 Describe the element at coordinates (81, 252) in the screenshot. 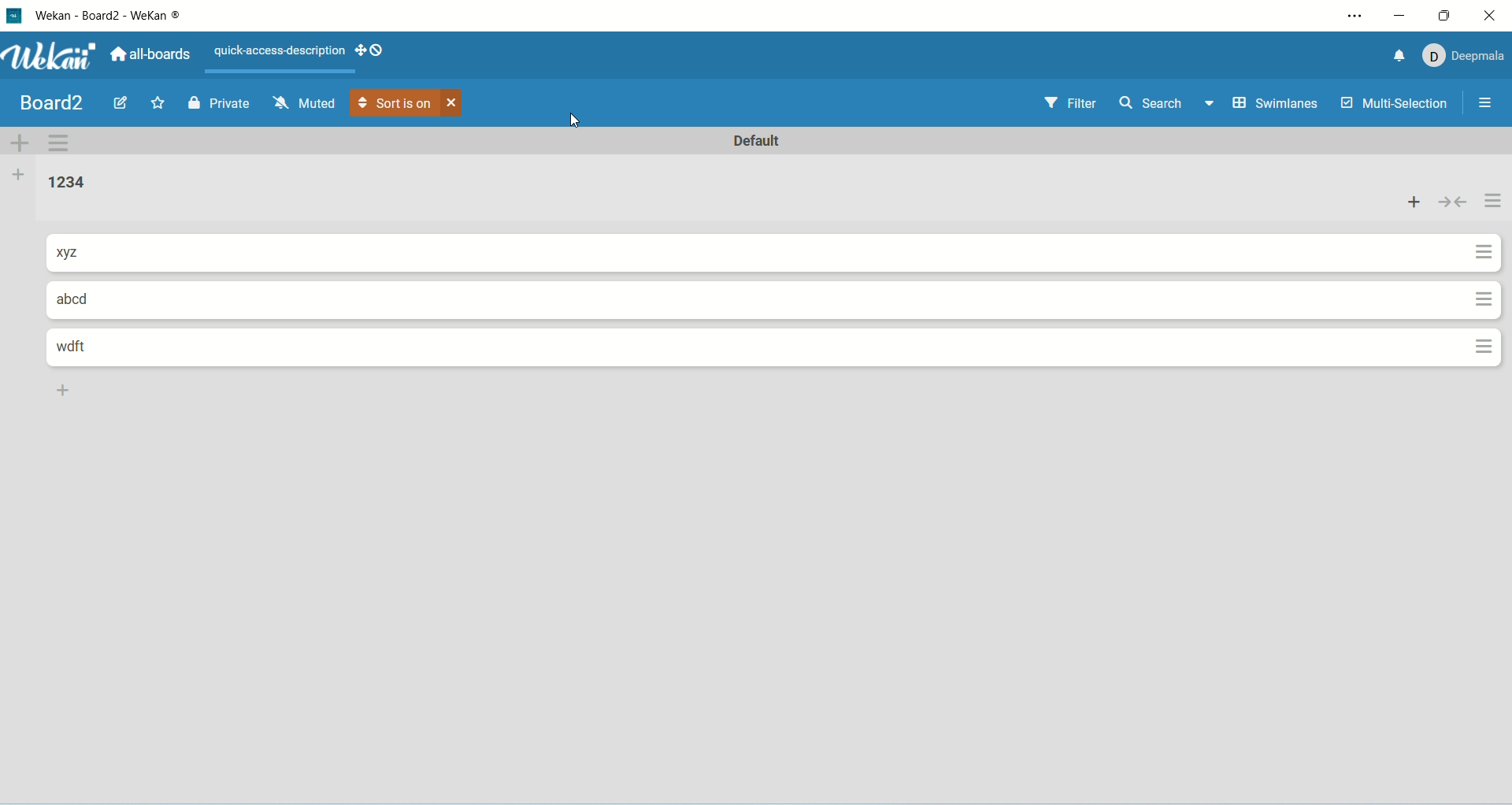

I see `card title` at that location.